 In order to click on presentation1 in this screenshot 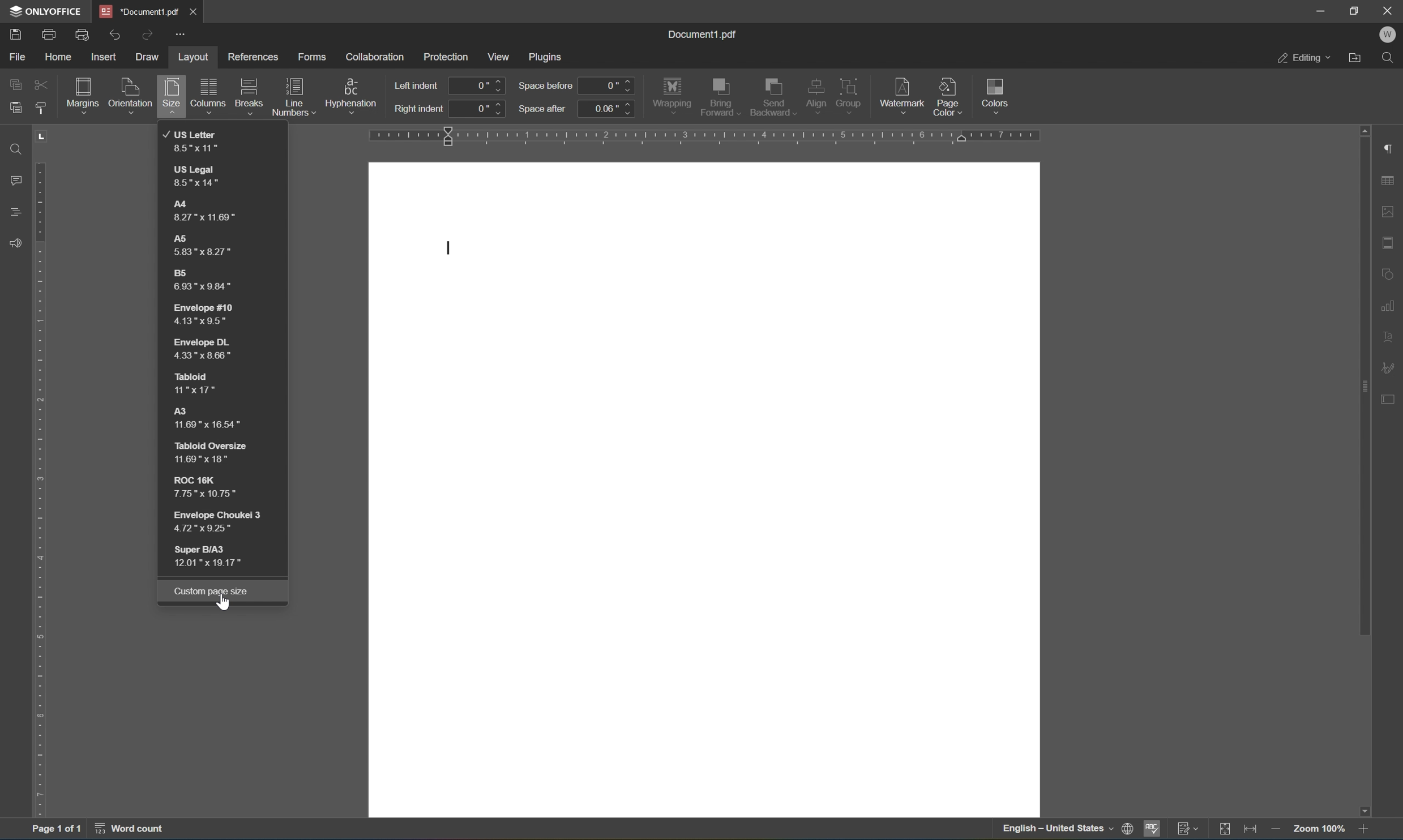, I will do `click(139, 11)`.